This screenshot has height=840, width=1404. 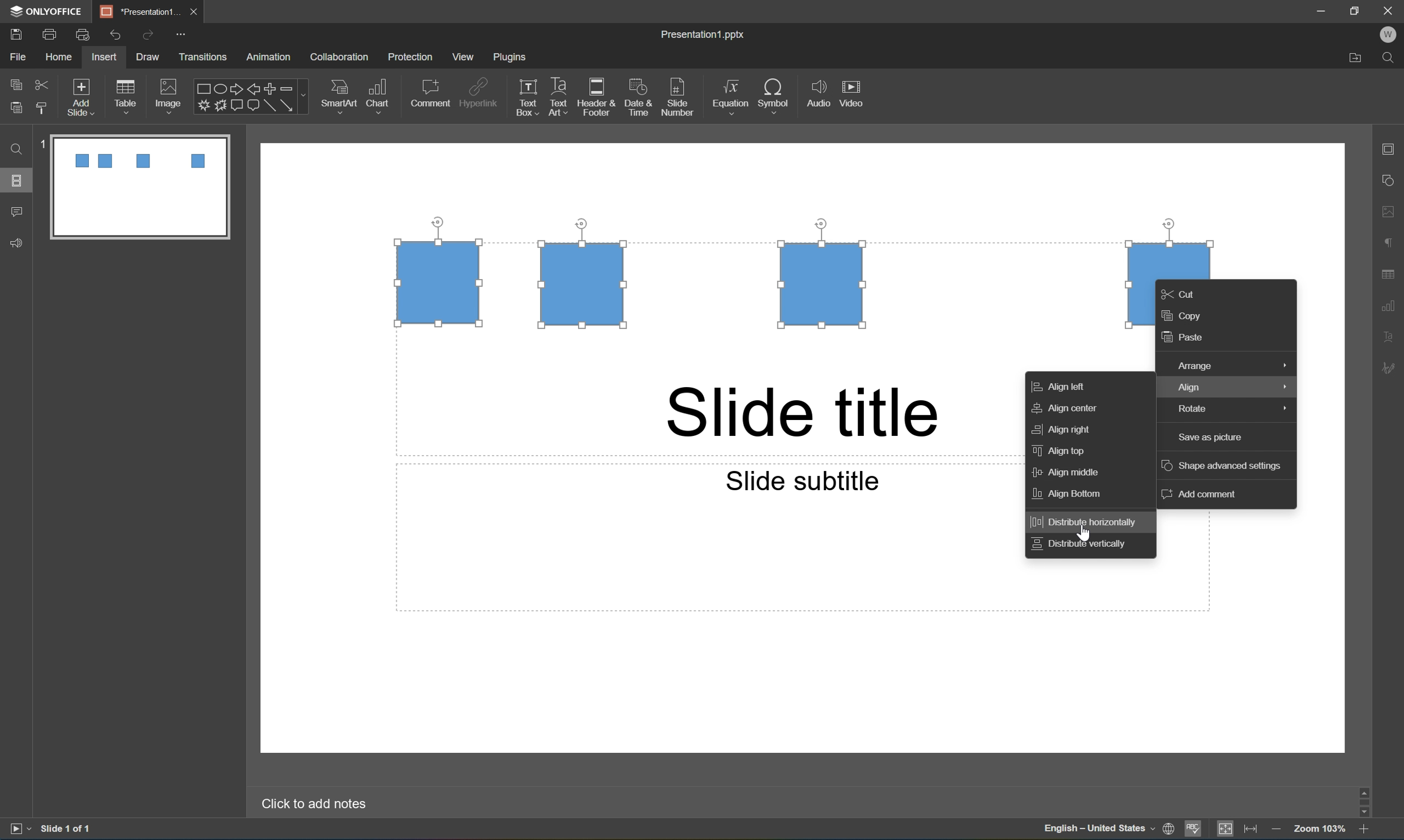 What do you see at coordinates (318, 804) in the screenshot?
I see `Click to add notes` at bounding box center [318, 804].